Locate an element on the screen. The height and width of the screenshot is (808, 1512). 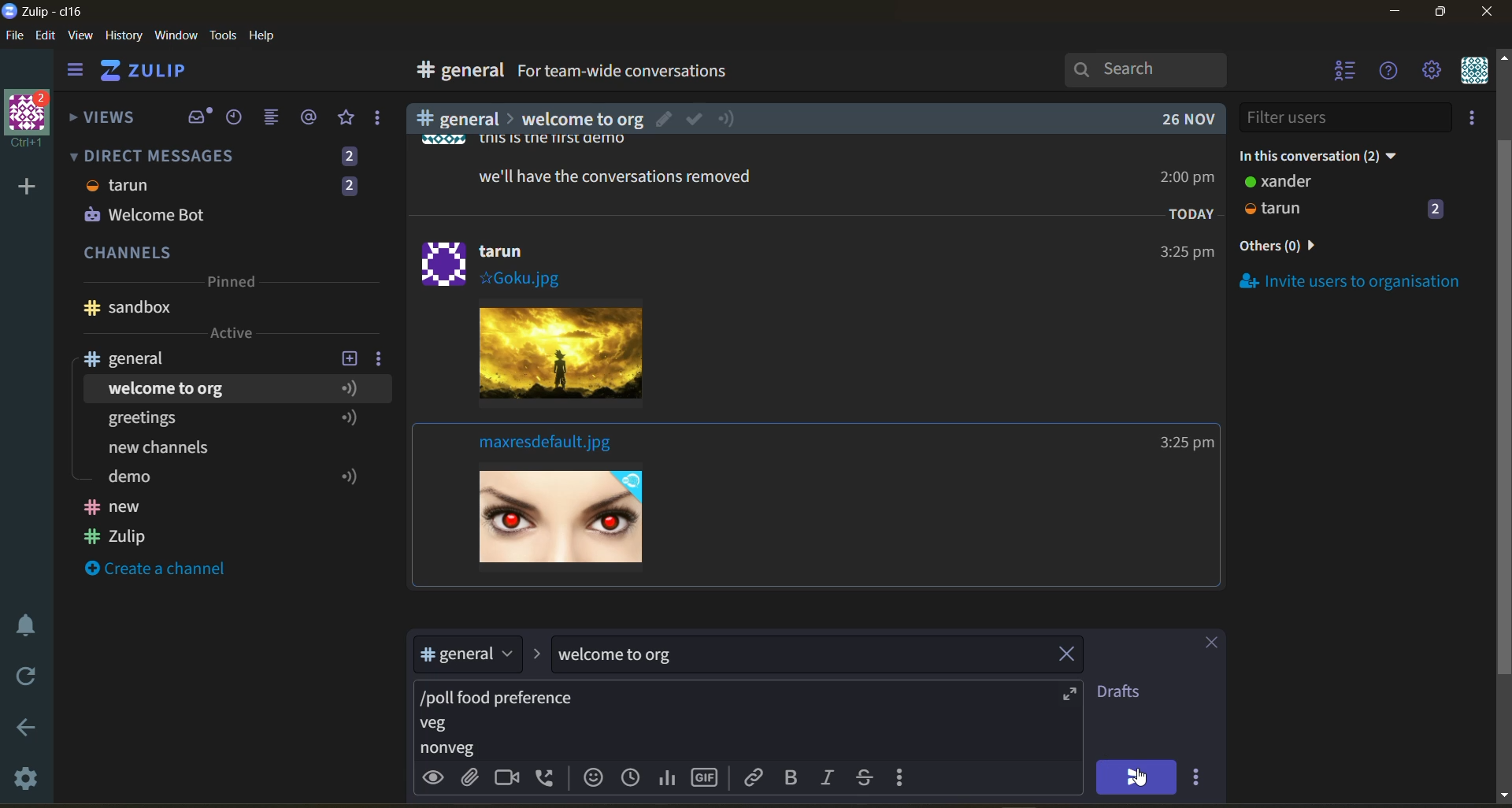
invite users to organisation is located at coordinates (1351, 280).